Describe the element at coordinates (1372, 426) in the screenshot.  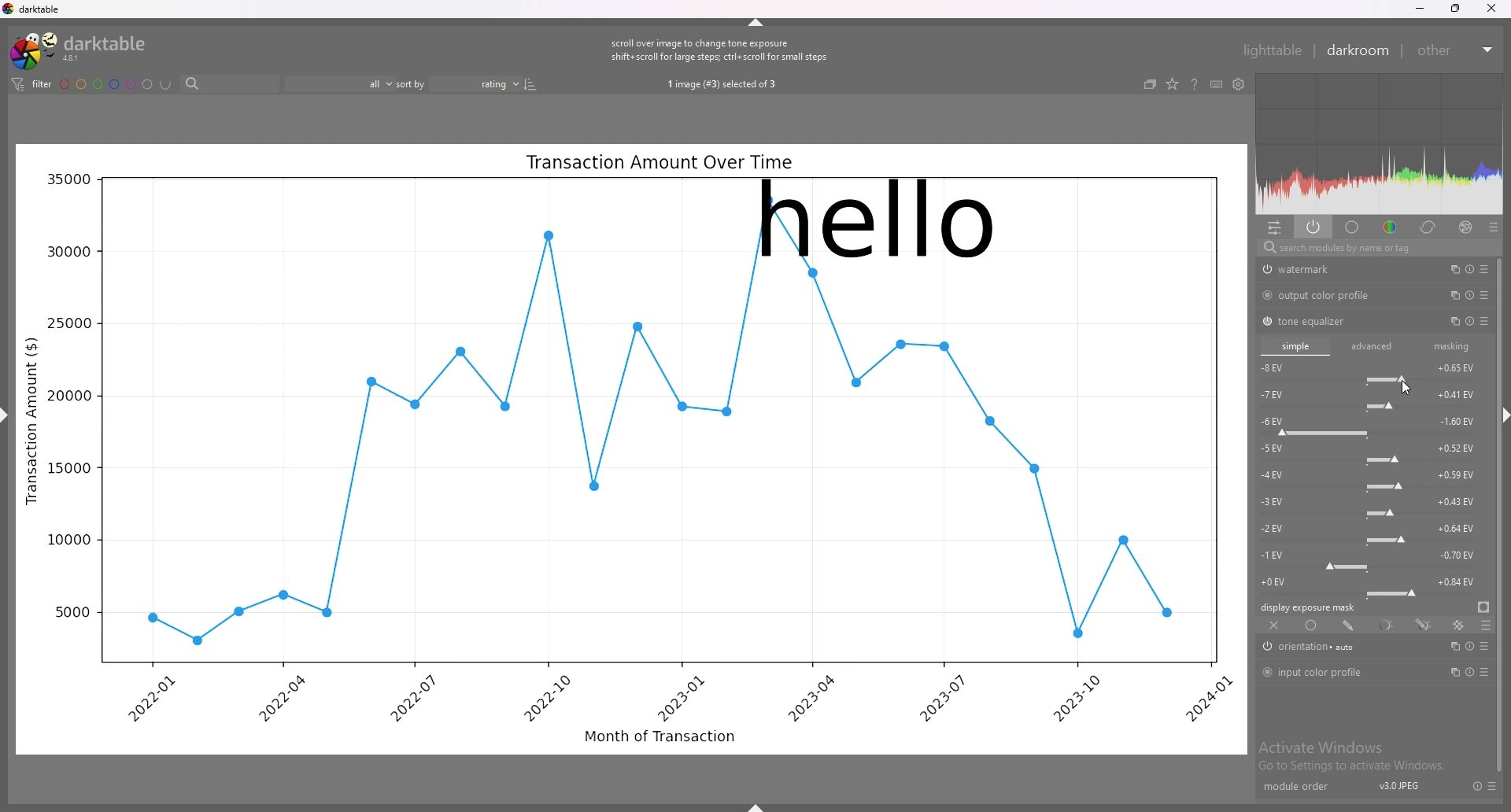
I see `-6 EV force` at that location.